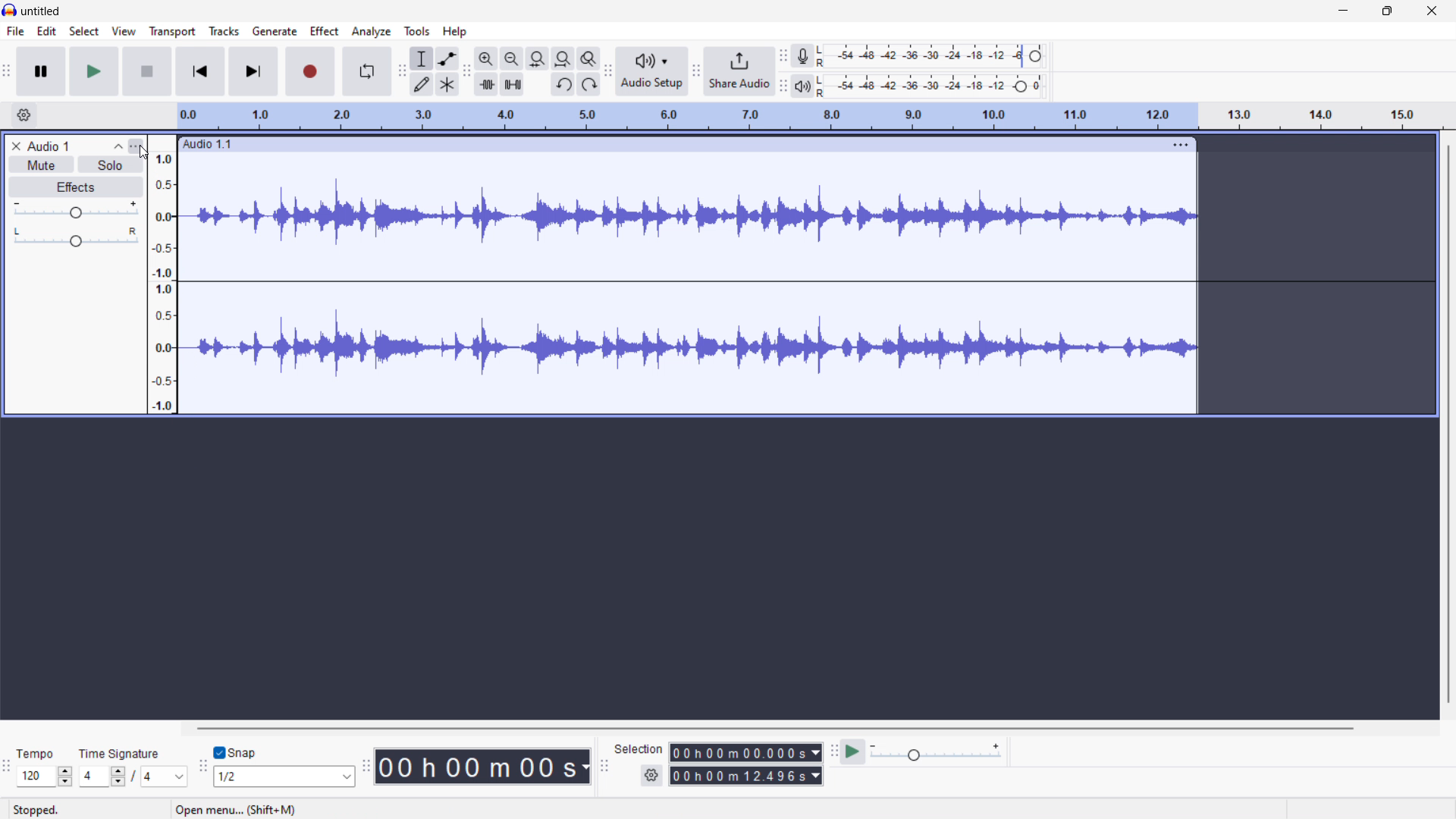  I want to click on selection settings, so click(651, 775).